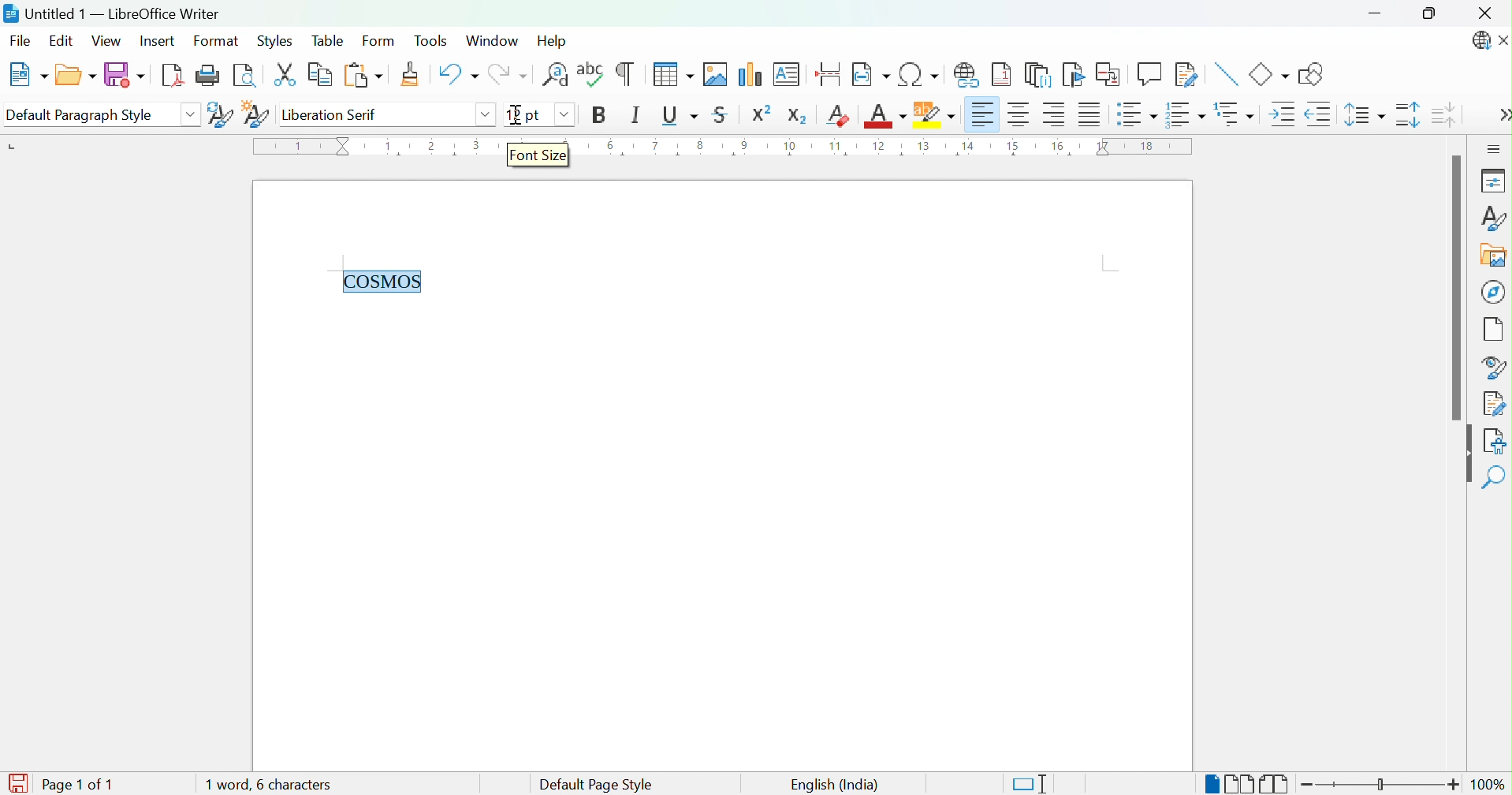 This screenshot has width=1512, height=795. Describe the element at coordinates (1496, 477) in the screenshot. I see `Find` at that location.